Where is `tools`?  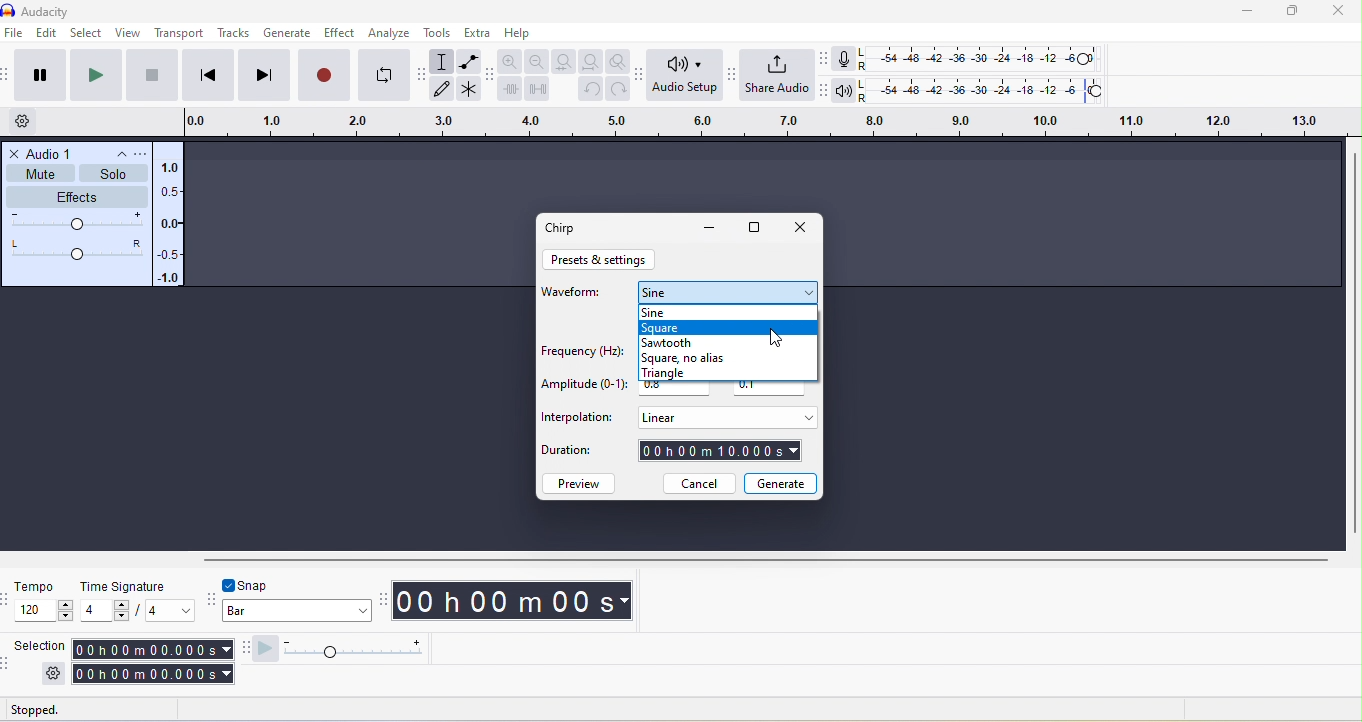
tools is located at coordinates (439, 32).